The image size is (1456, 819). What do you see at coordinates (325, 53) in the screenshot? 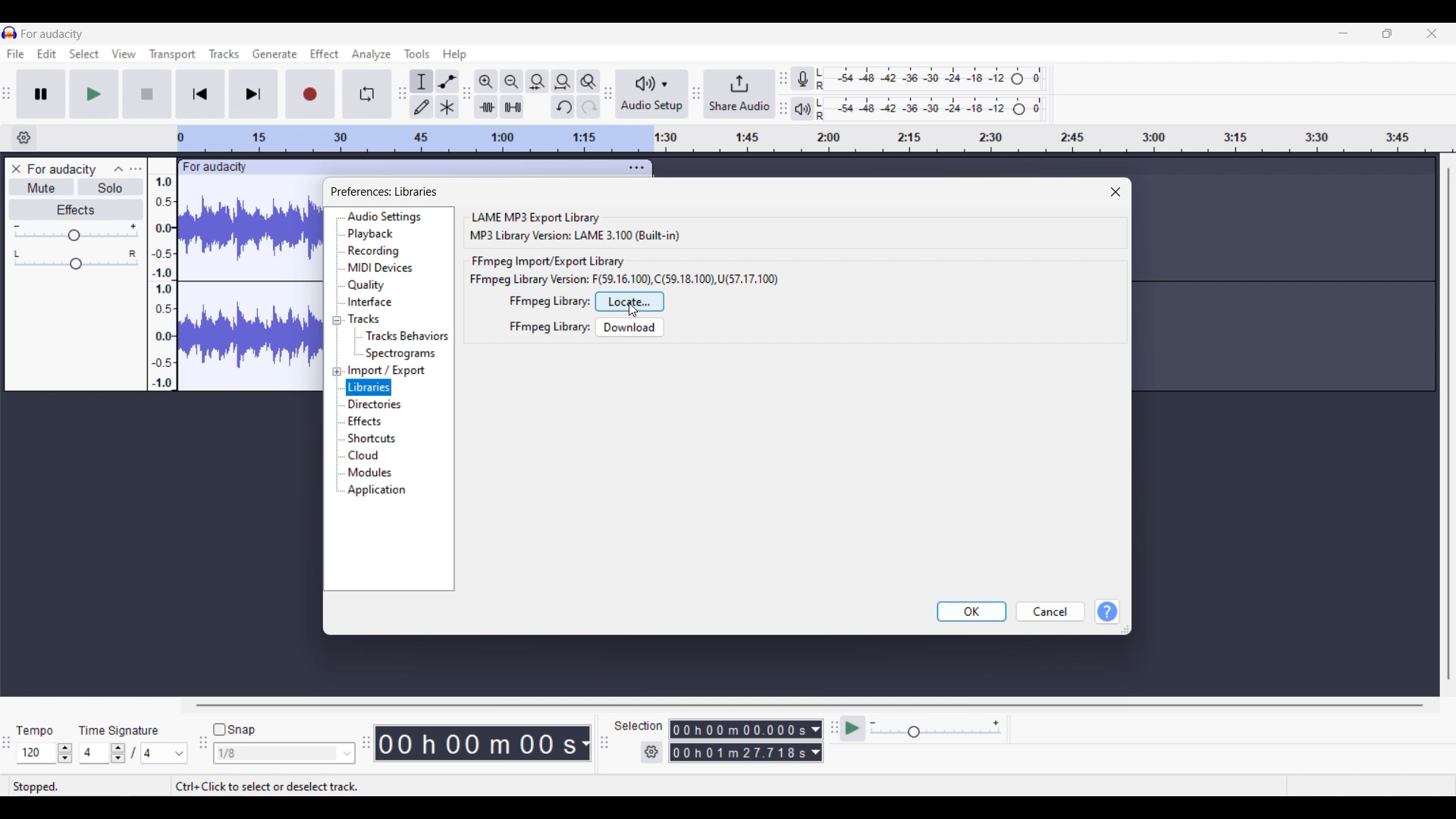
I see `Effect menu` at bounding box center [325, 53].